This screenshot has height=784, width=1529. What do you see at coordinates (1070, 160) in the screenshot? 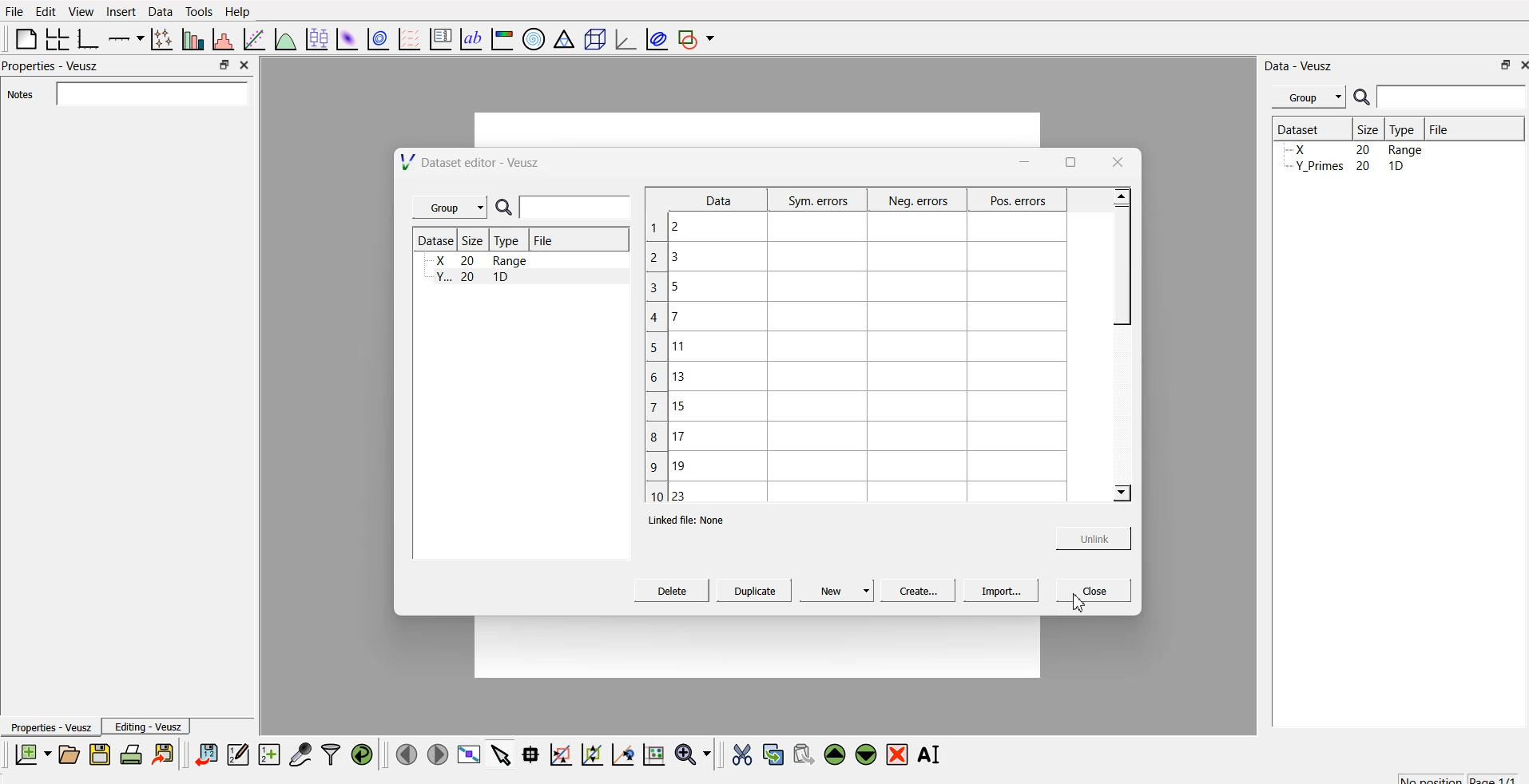
I see `maximize` at bounding box center [1070, 160].